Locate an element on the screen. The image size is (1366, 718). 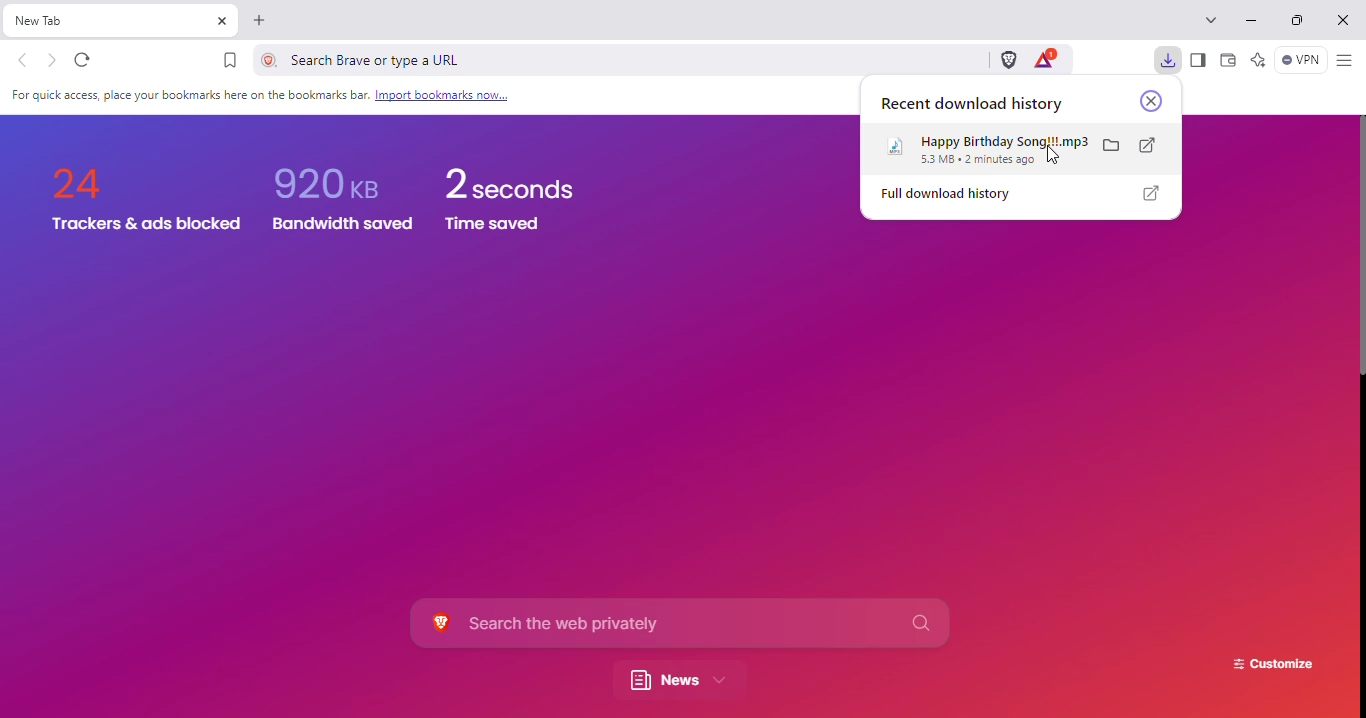
wallet is located at coordinates (1229, 59).